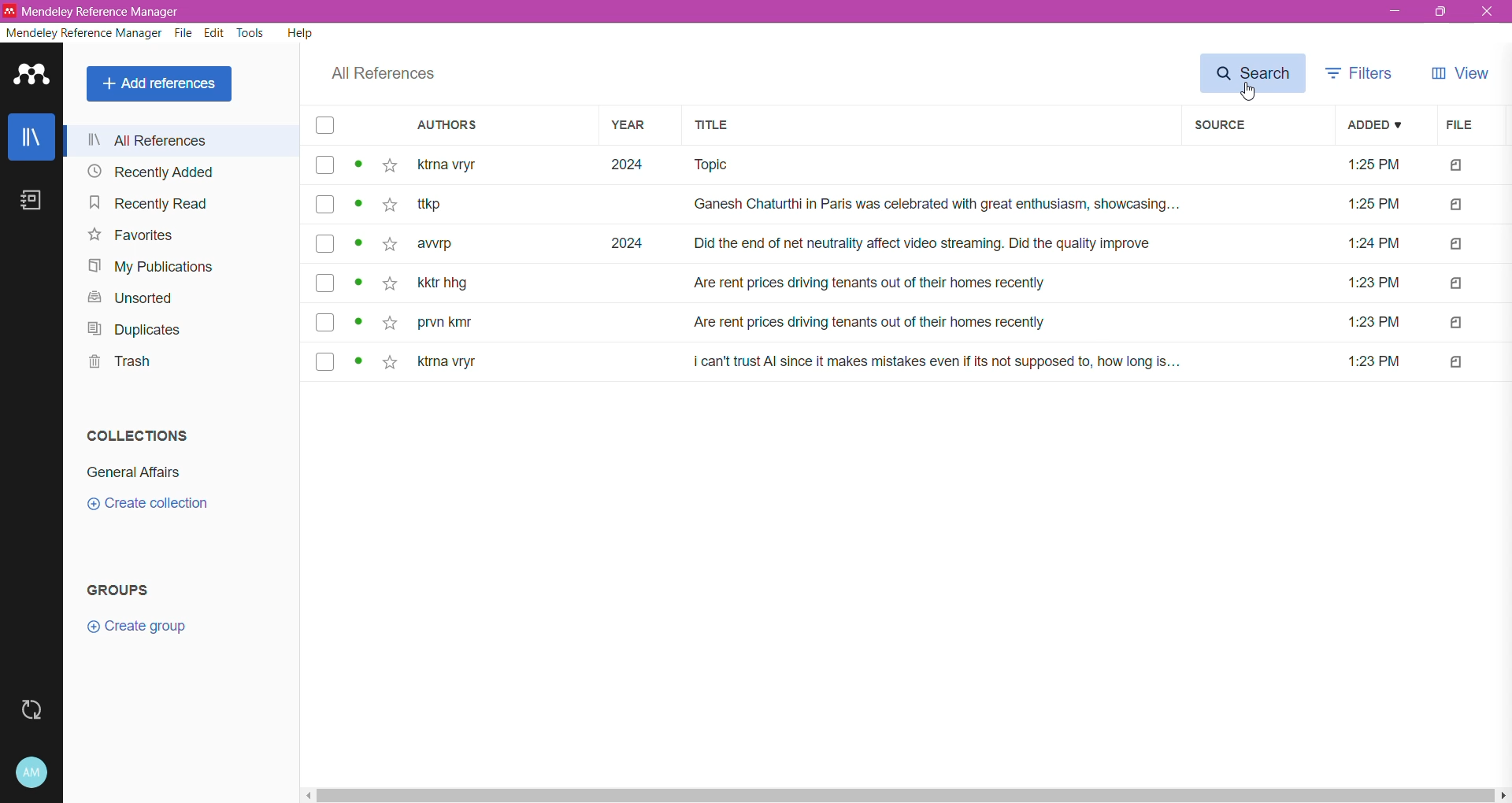  What do you see at coordinates (635, 127) in the screenshot?
I see `Year` at bounding box center [635, 127].